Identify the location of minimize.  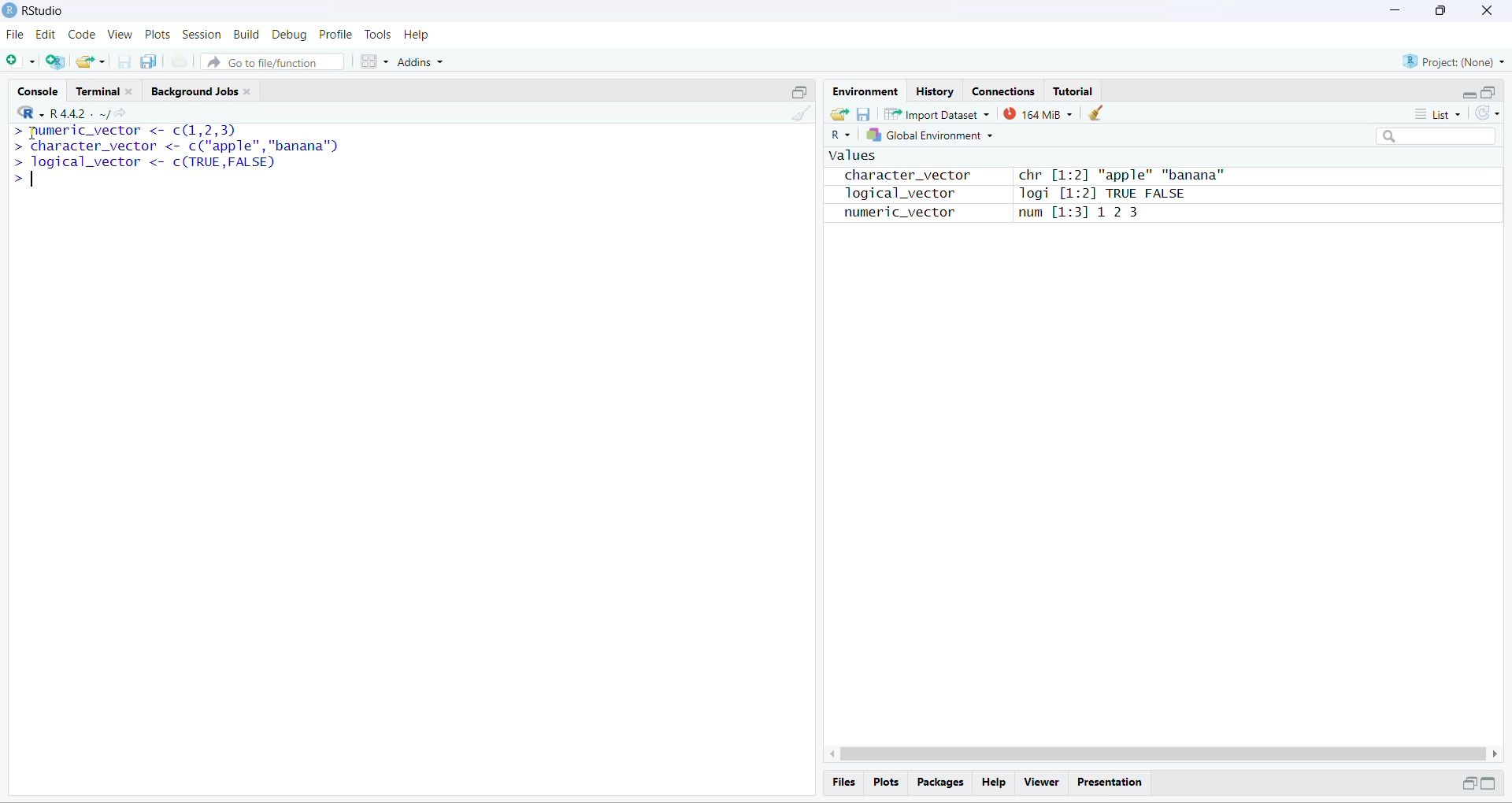
(1469, 96).